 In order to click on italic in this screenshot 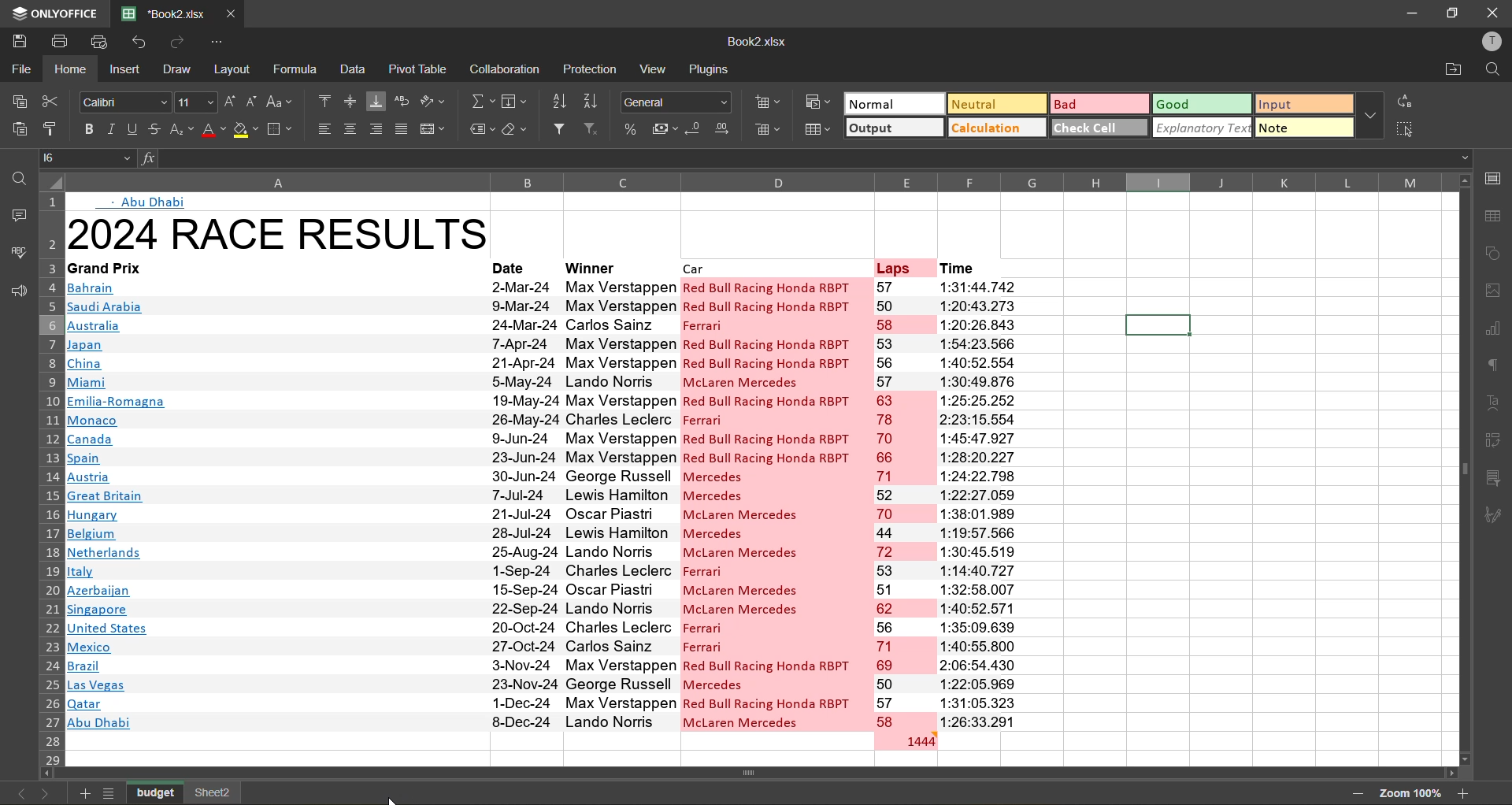, I will do `click(111, 128)`.